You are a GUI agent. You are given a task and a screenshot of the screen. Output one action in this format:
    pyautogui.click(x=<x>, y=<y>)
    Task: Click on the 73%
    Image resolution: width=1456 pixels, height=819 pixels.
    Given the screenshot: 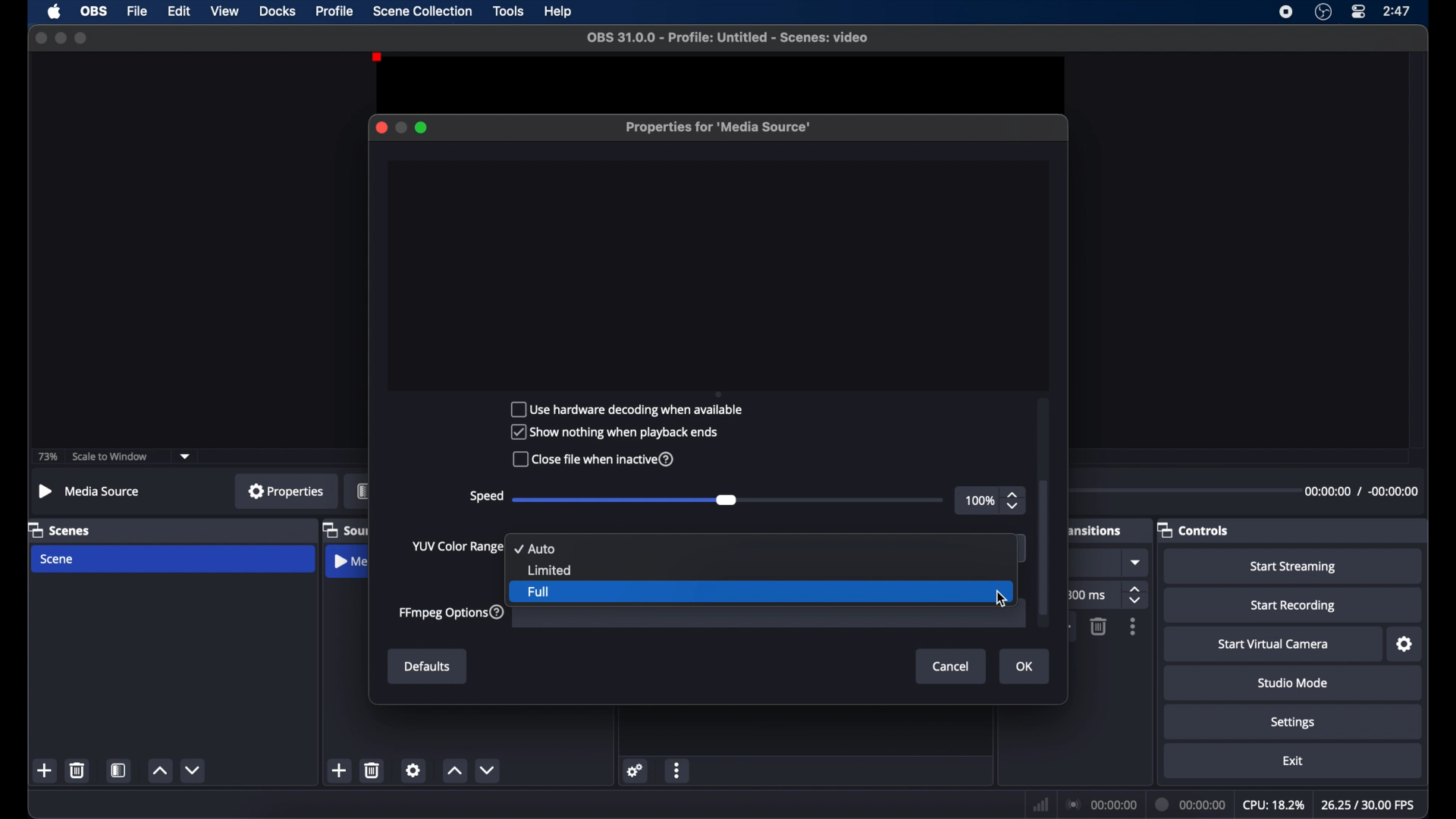 What is the action you would take?
    pyautogui.click(x=49, y=457)
    